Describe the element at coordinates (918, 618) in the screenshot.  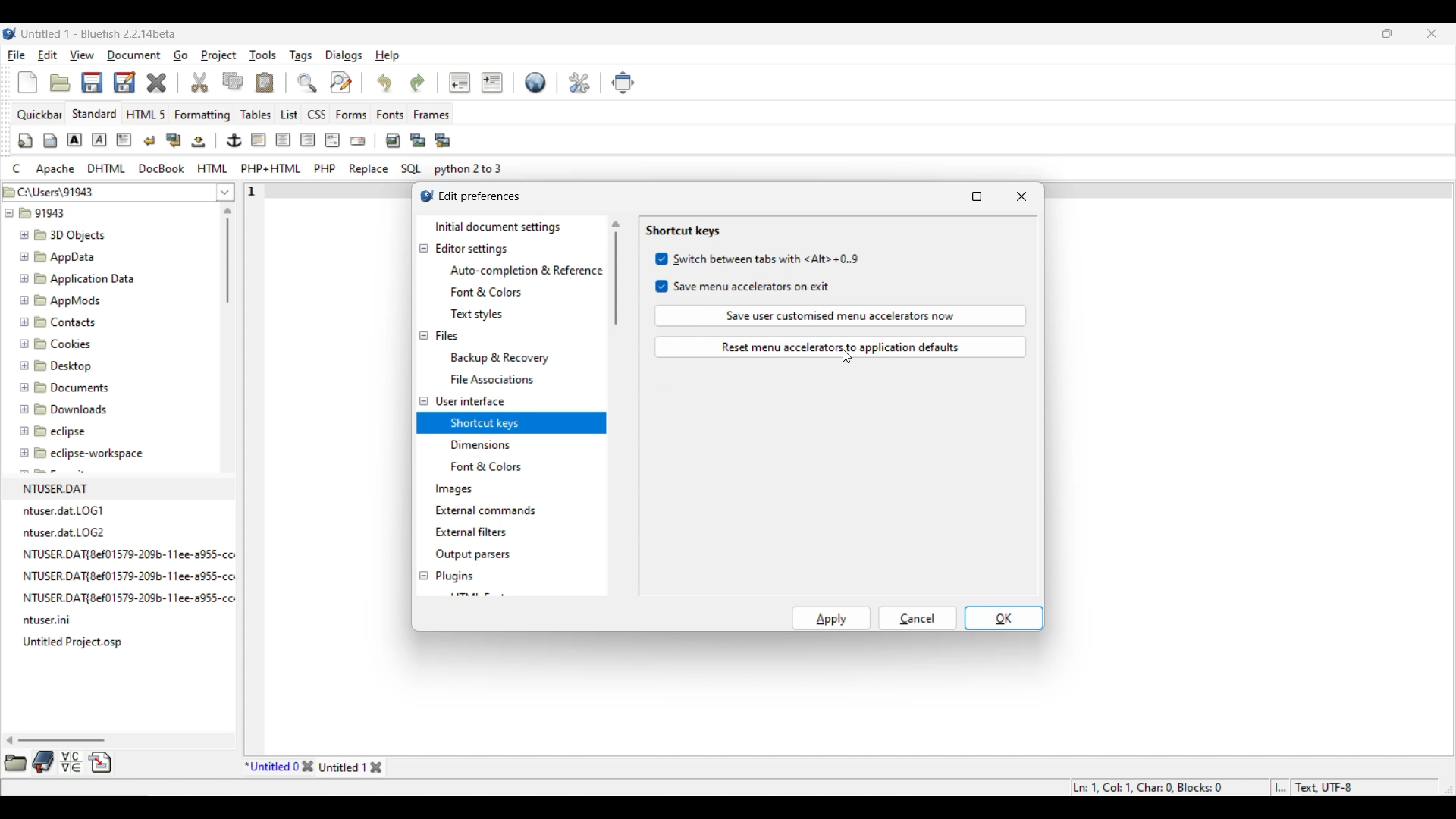
I see `Cancel` at that location.